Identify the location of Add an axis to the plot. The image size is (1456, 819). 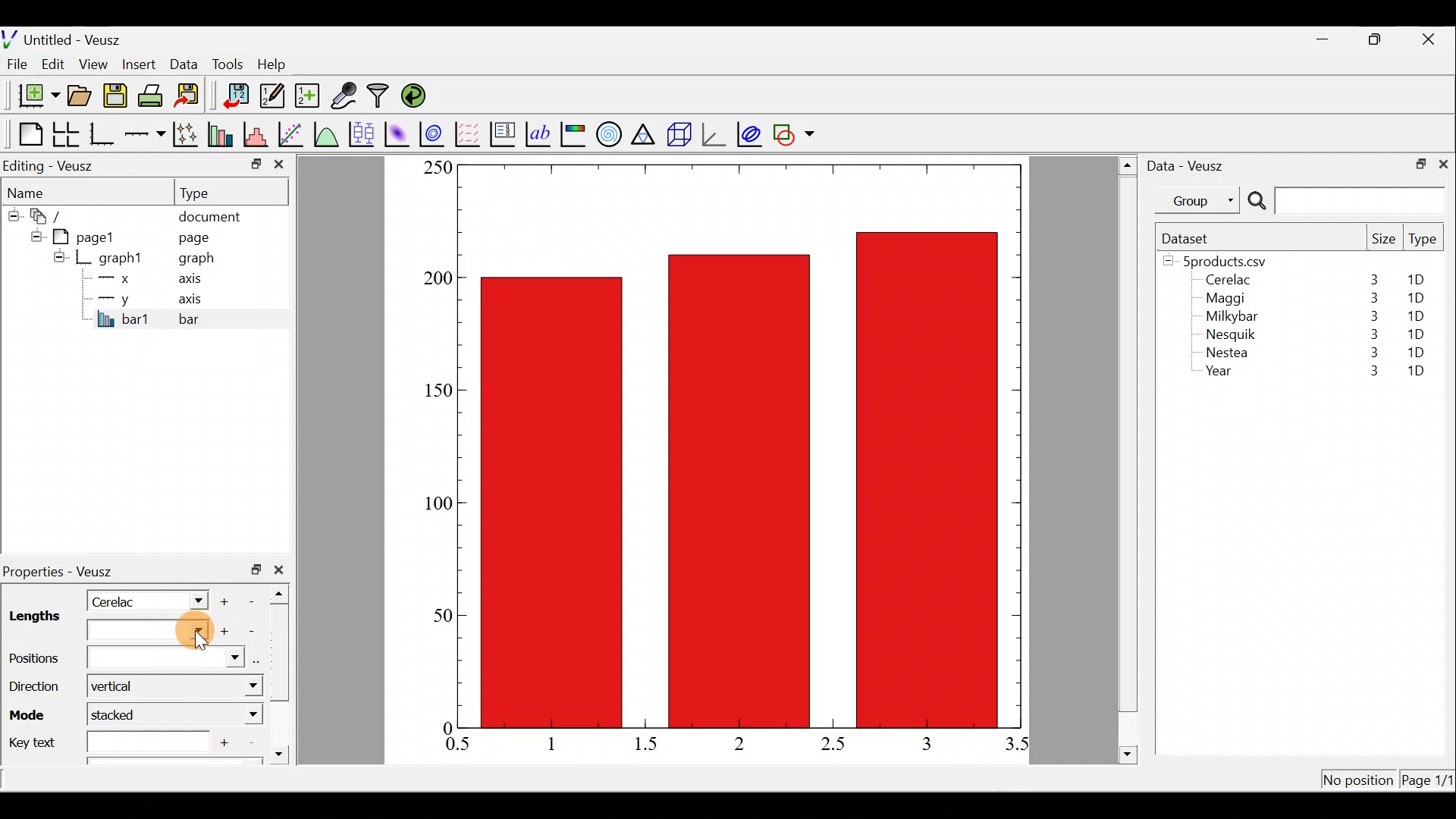
(148, 134).